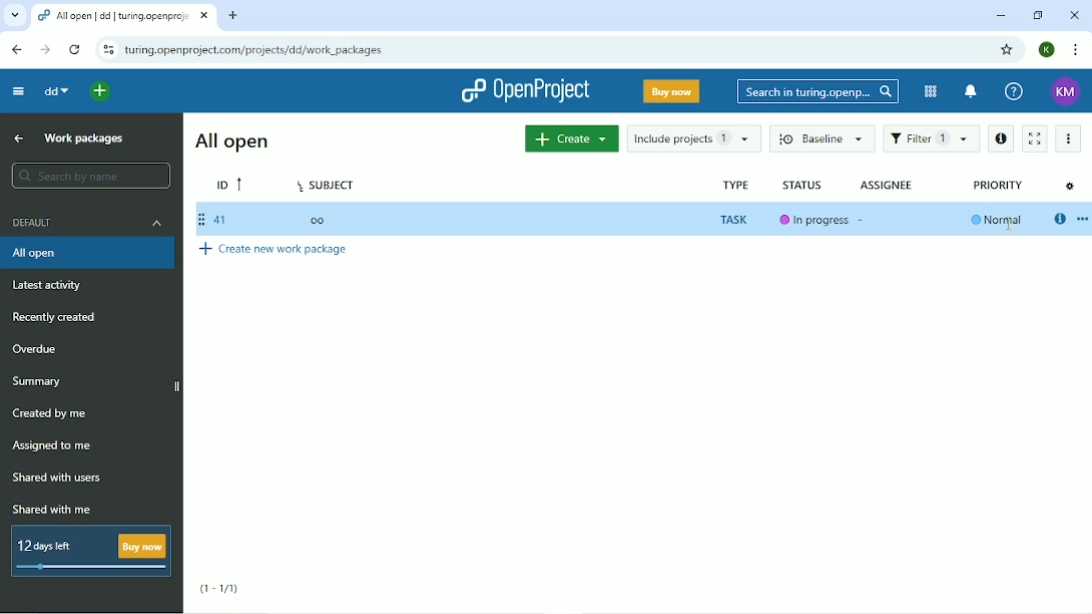 This screenshot has height=614, width=1092. I want to click on In progress, so click(819, 222).